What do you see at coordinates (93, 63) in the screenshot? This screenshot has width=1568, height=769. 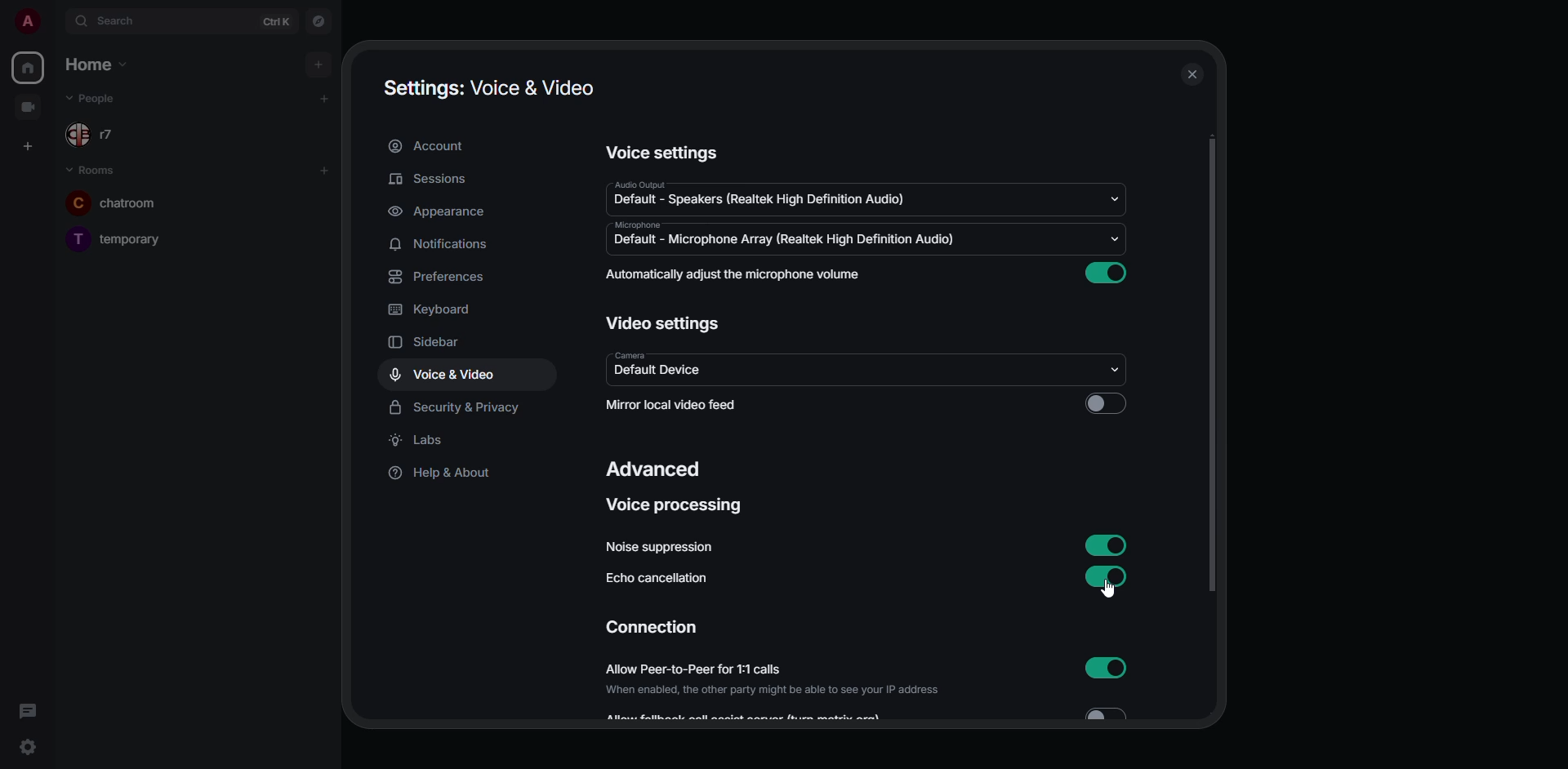 I see `home` at bounding box center [93, 63].